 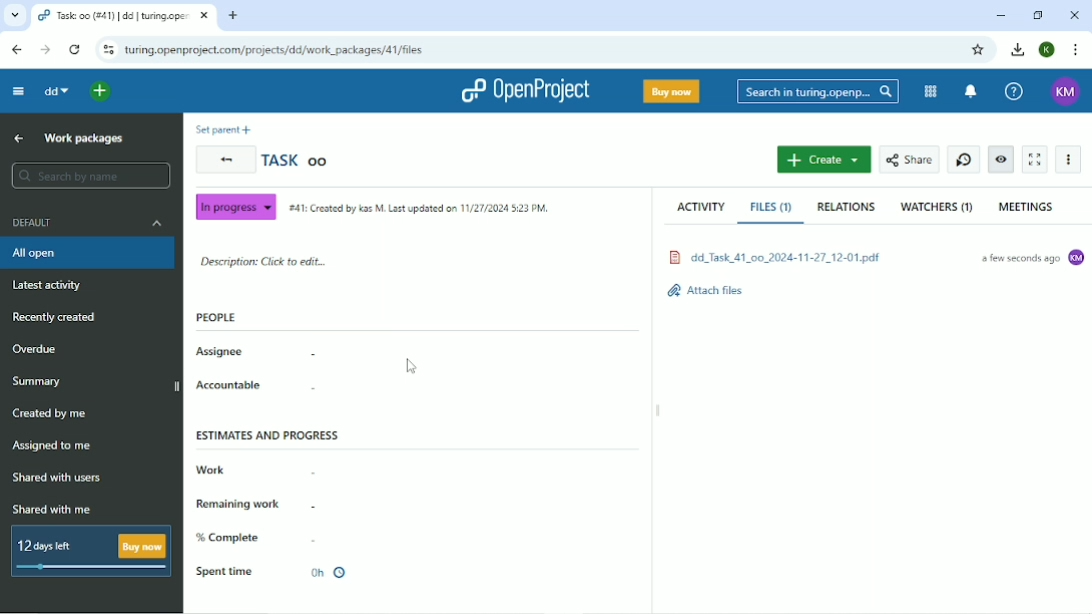 I want to click on Reload this page, so click(x=77, y=50).